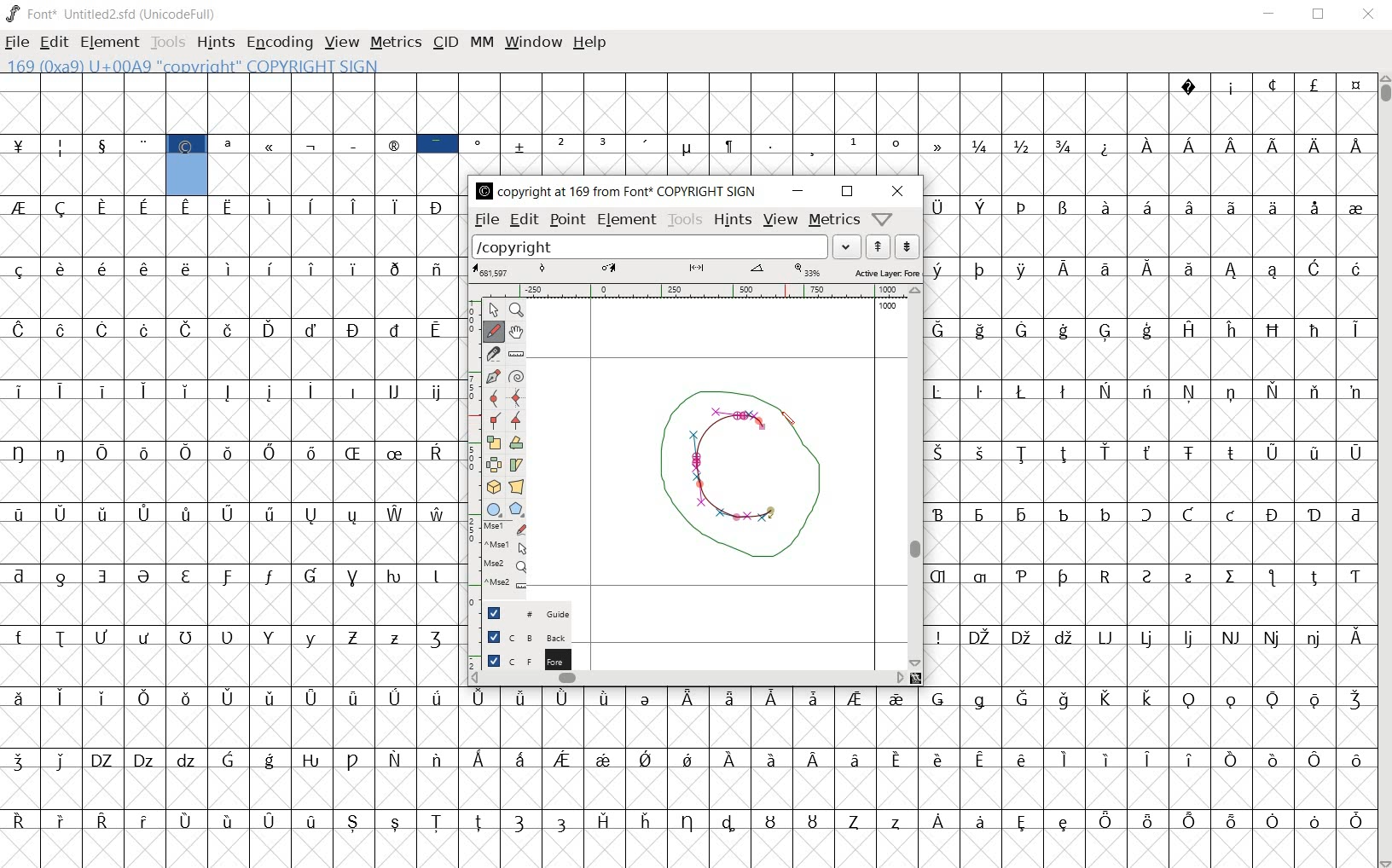  What do you see at coordinates (485, 220) in the screenshot?
I see `file` at bounding box center [485, 220].